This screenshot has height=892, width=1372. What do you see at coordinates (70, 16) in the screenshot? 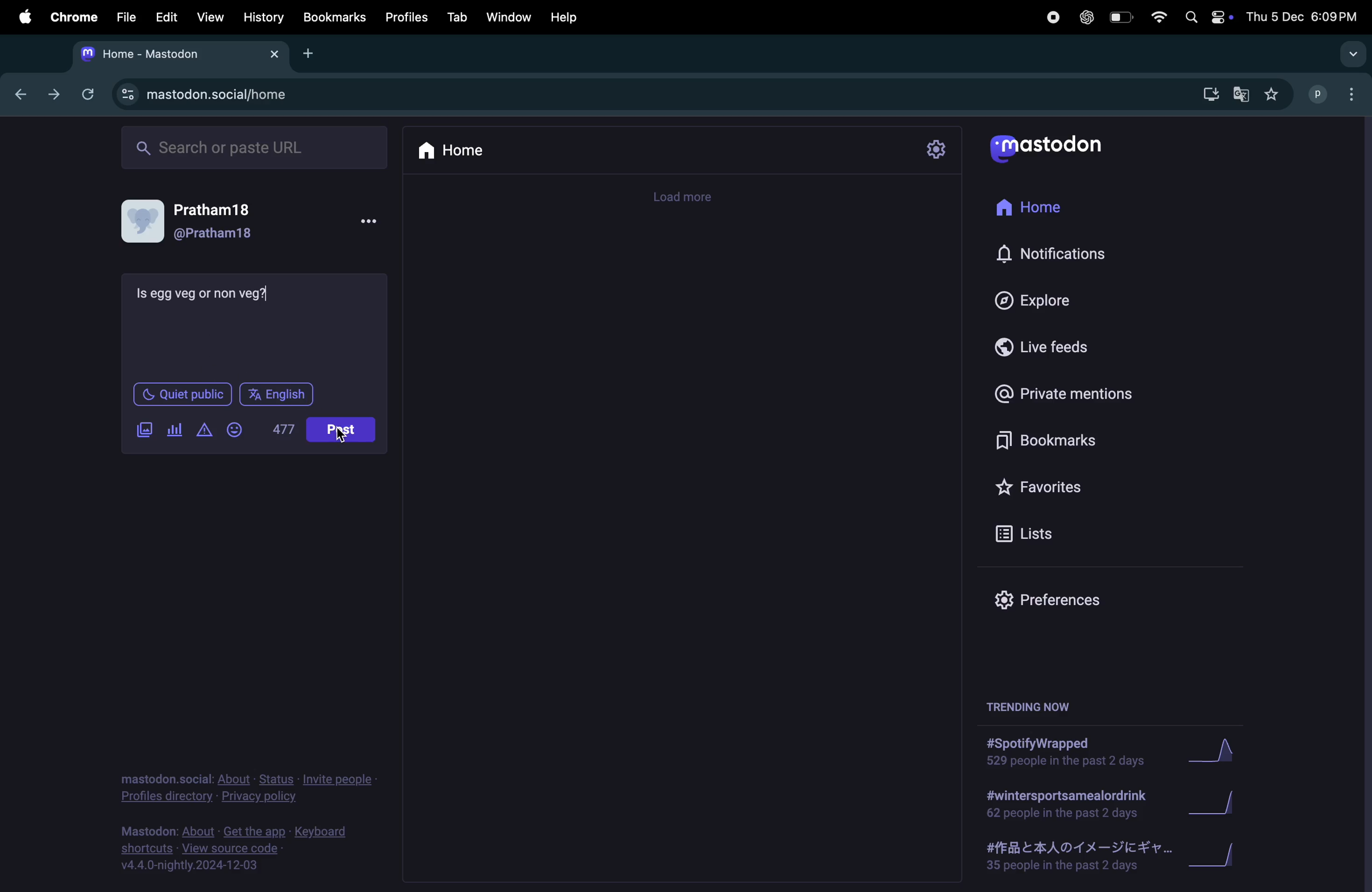
I see `chrome` at bounding box center [70, 16].